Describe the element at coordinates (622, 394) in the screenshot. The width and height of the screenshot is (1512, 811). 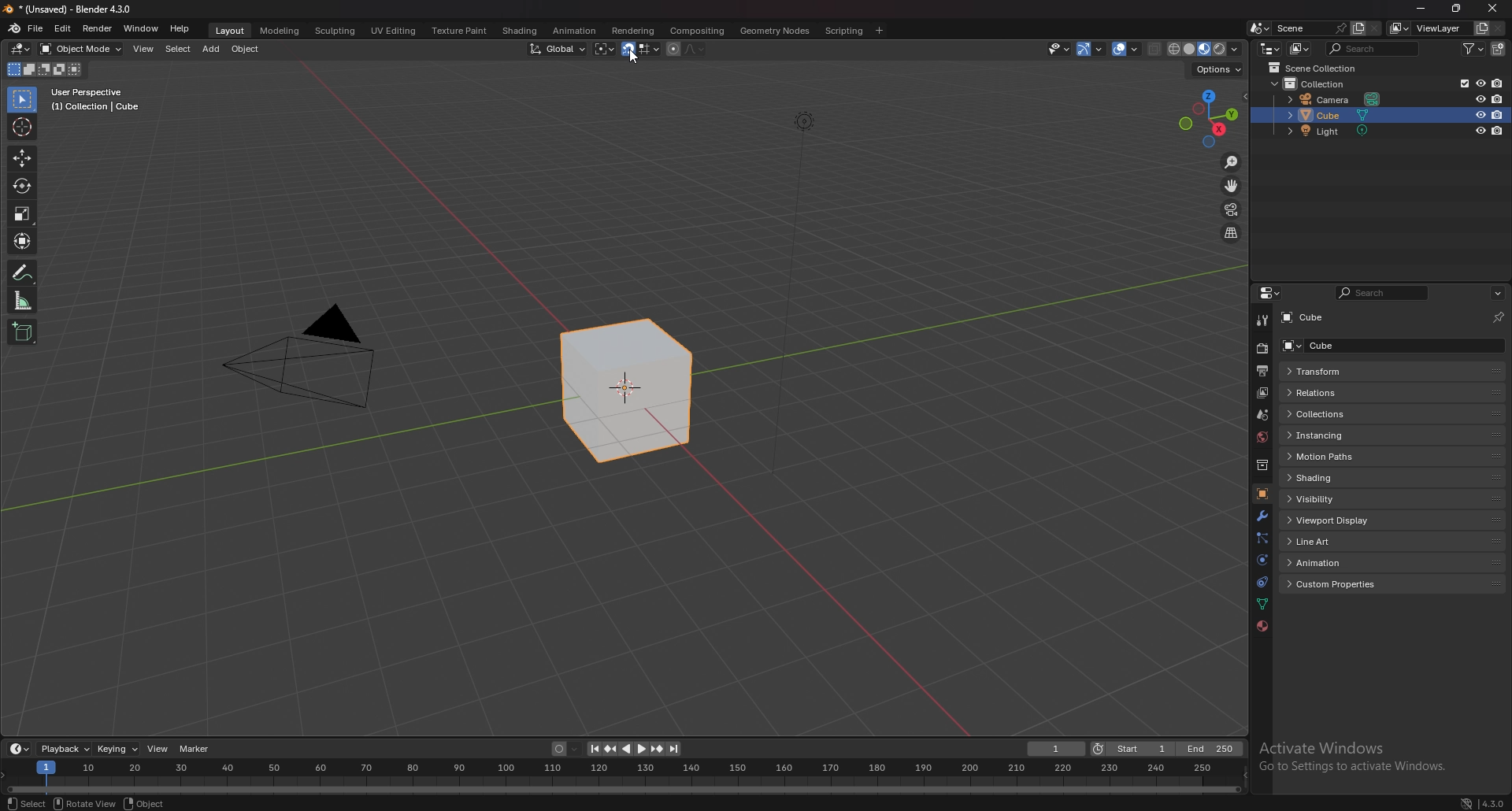
I see `cube` at that location.